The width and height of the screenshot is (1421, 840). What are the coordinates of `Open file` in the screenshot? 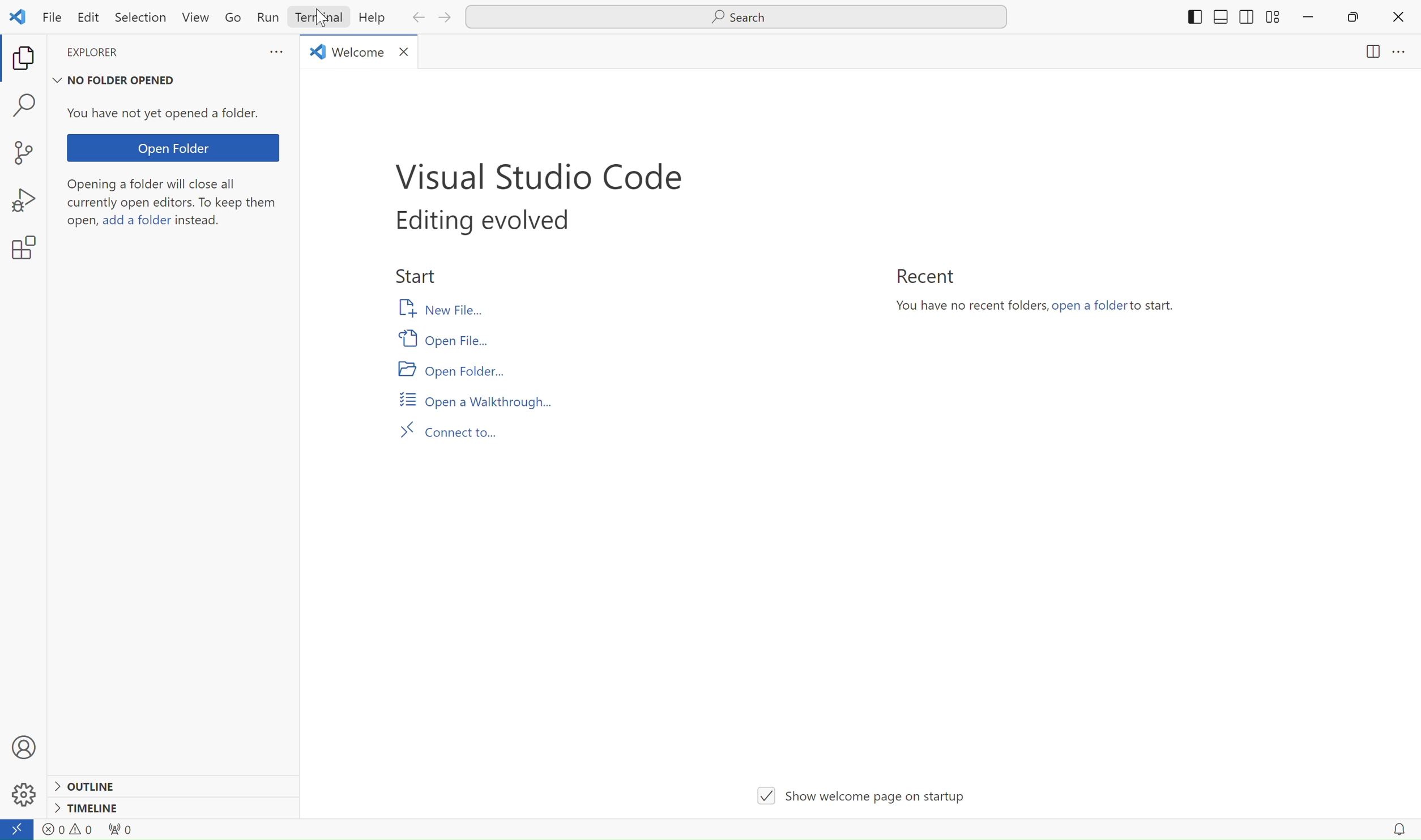 It's located at (437, 335).